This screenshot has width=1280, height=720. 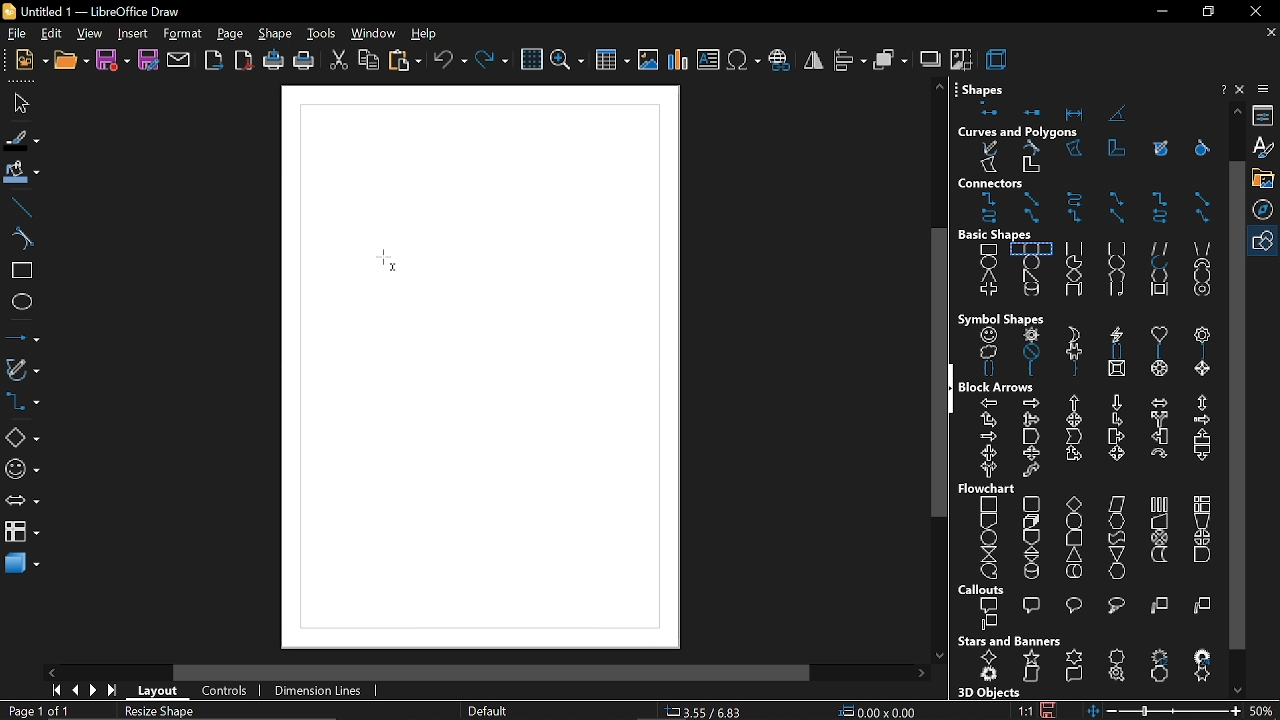 I want to click on scroll up, so click(x=939, y=86).